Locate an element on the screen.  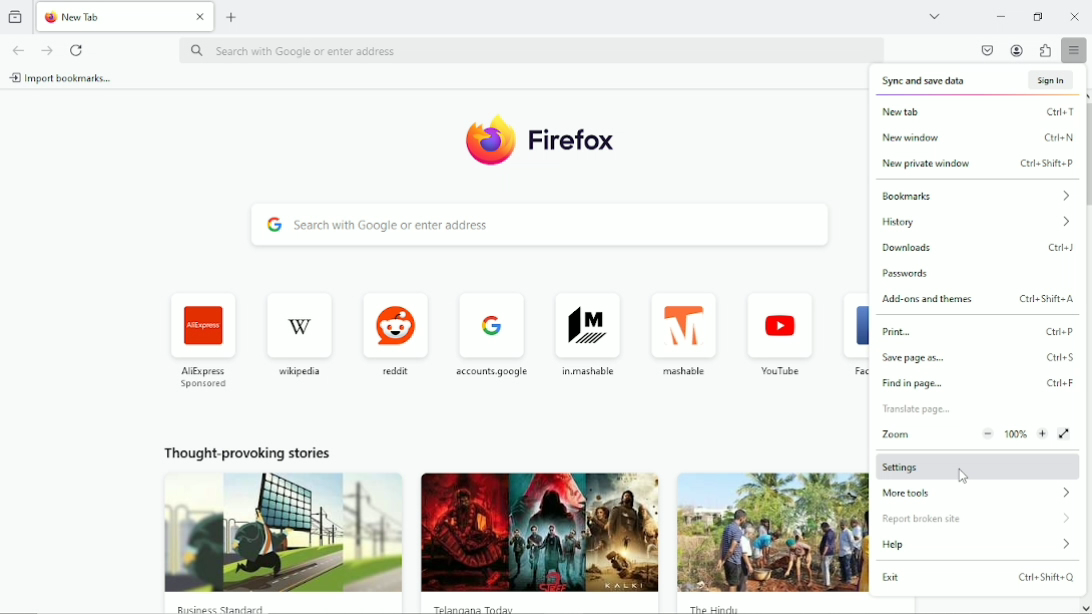
search bar is located at coordinates (542, 226).